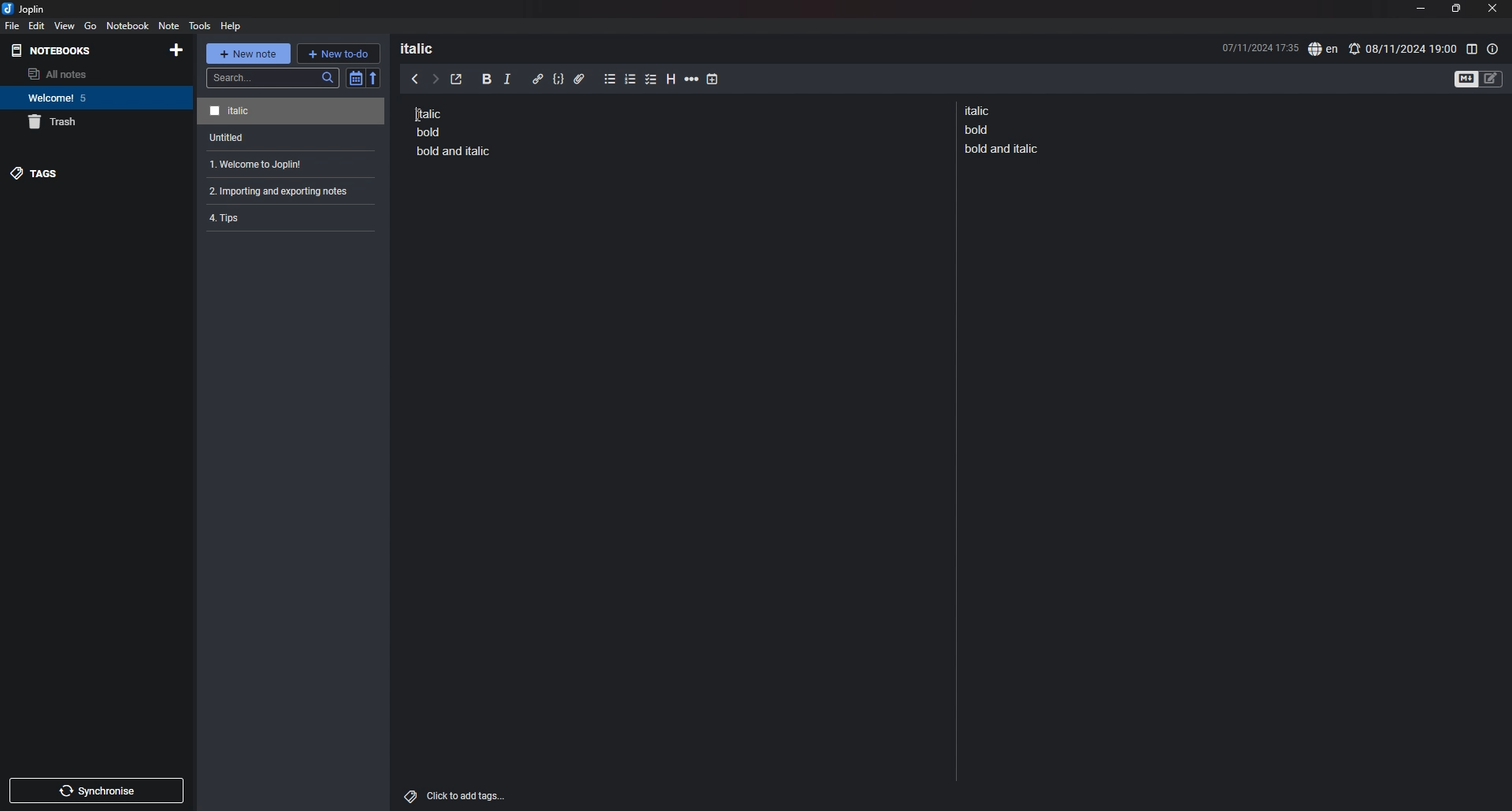  What do you see at coordinates (713, 79) in the screenshot?
I see `add time` at bounding box center [713, 79].